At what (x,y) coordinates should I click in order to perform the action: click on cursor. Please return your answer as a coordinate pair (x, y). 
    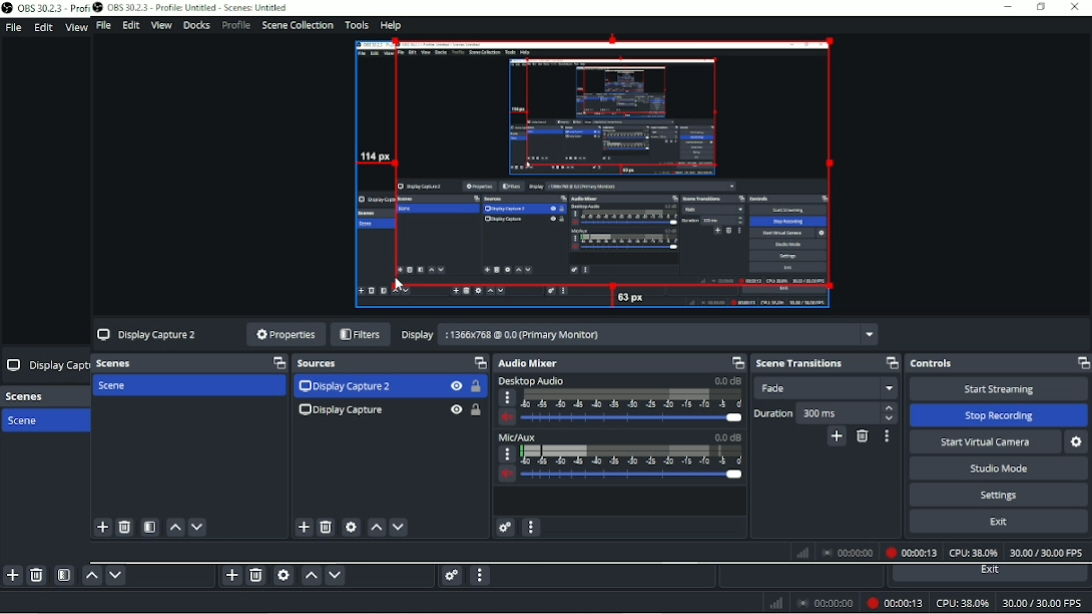
    Looking at the image, I should click on (400, 281).